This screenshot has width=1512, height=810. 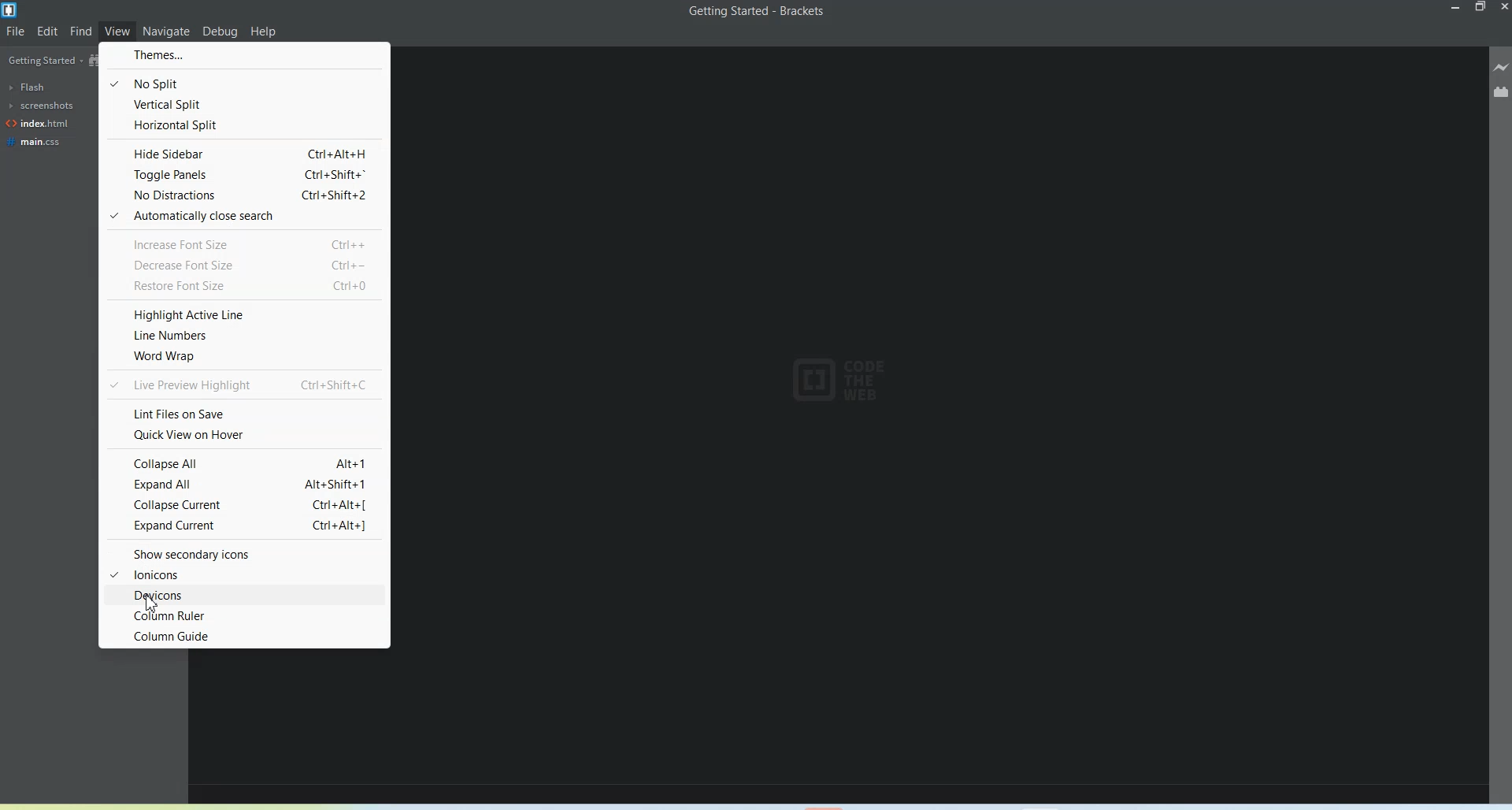 I want to click on Navigate, so click(x=167, y=30).